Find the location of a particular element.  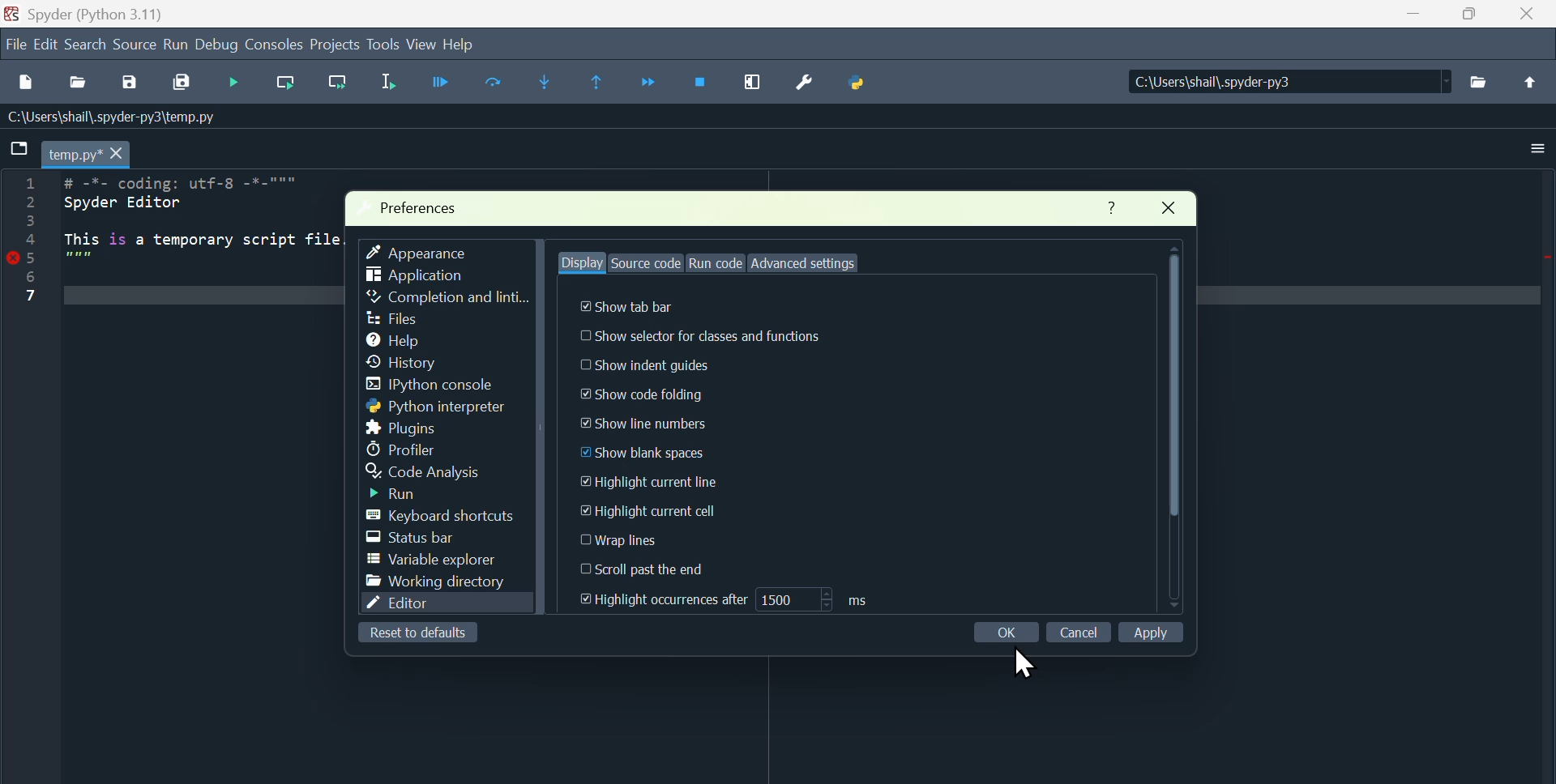

Help is located at coordinates (1111, 205).